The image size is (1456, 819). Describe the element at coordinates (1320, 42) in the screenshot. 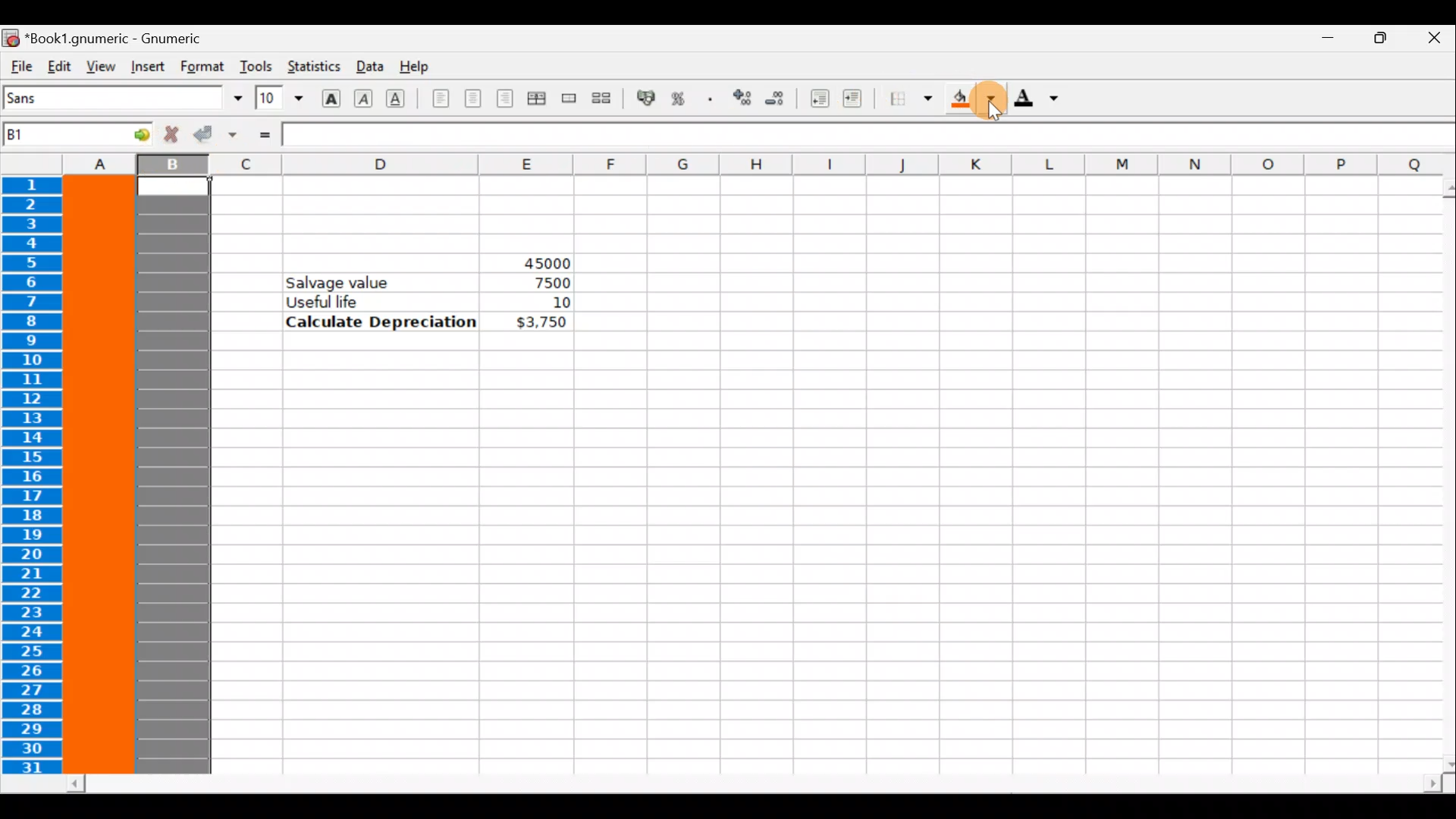

I see `Minimize` at that location.